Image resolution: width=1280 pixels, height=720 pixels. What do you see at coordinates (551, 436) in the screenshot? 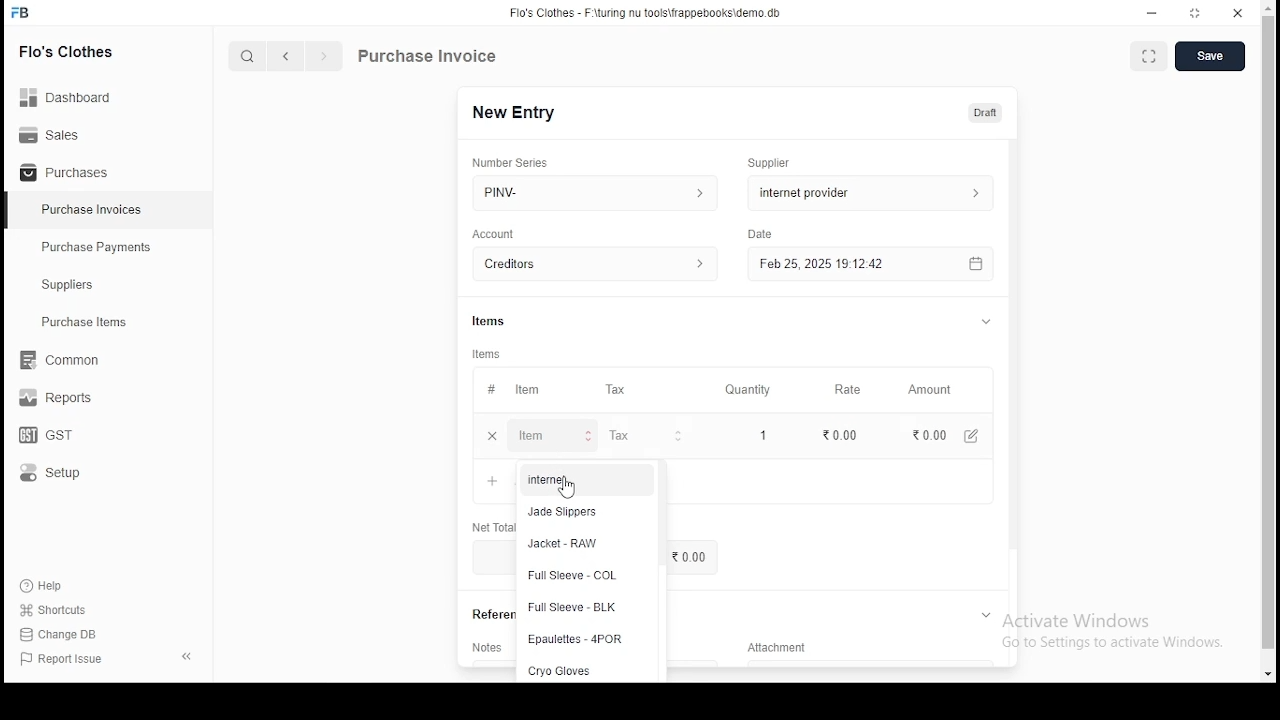
I see `add row` at bounding box center [551, 436].